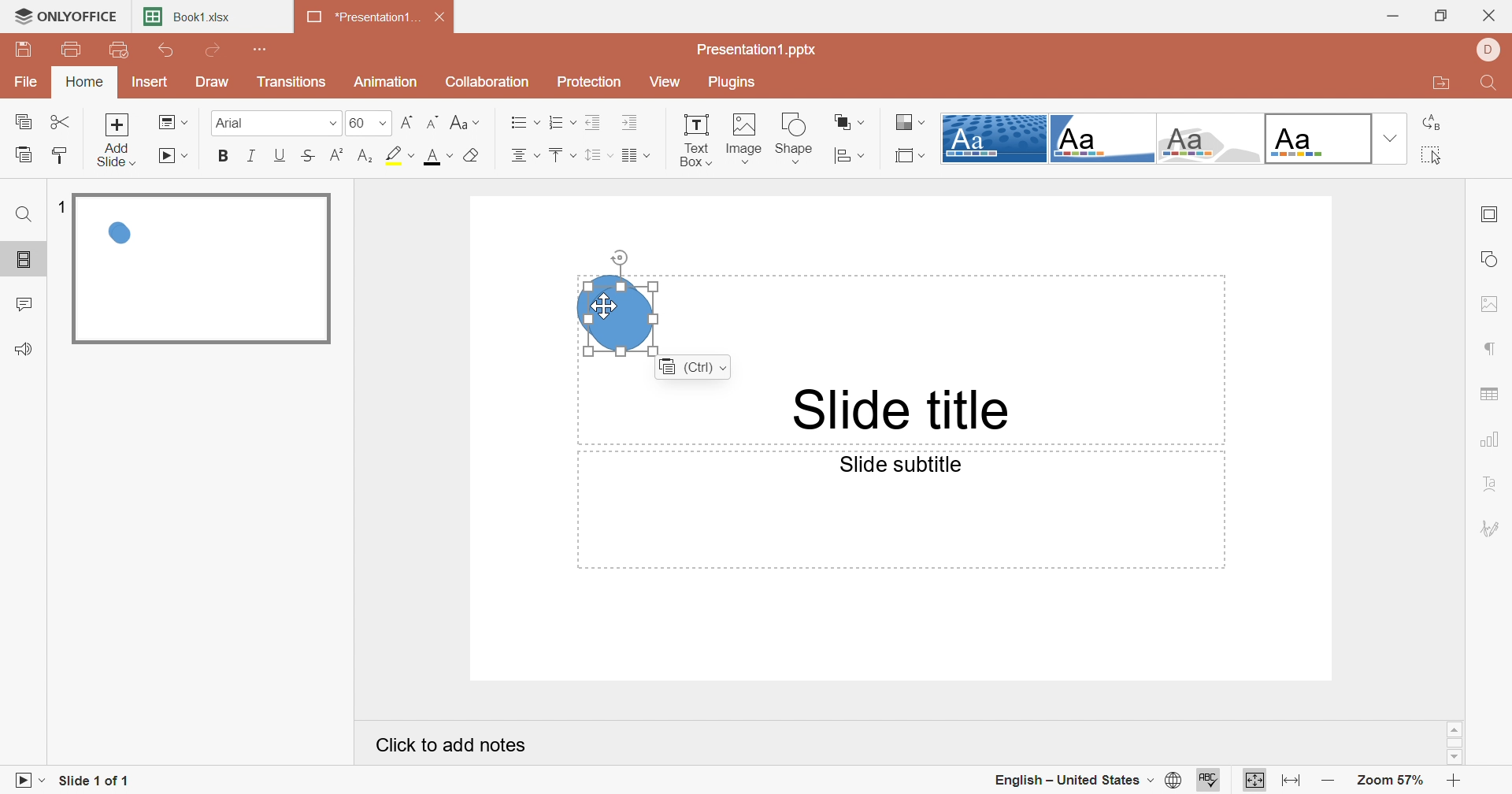 This screenshot has height=794, width=1512. Describe the element at coordinates (741, 139) in the screenshot. I see `Image` at that location.